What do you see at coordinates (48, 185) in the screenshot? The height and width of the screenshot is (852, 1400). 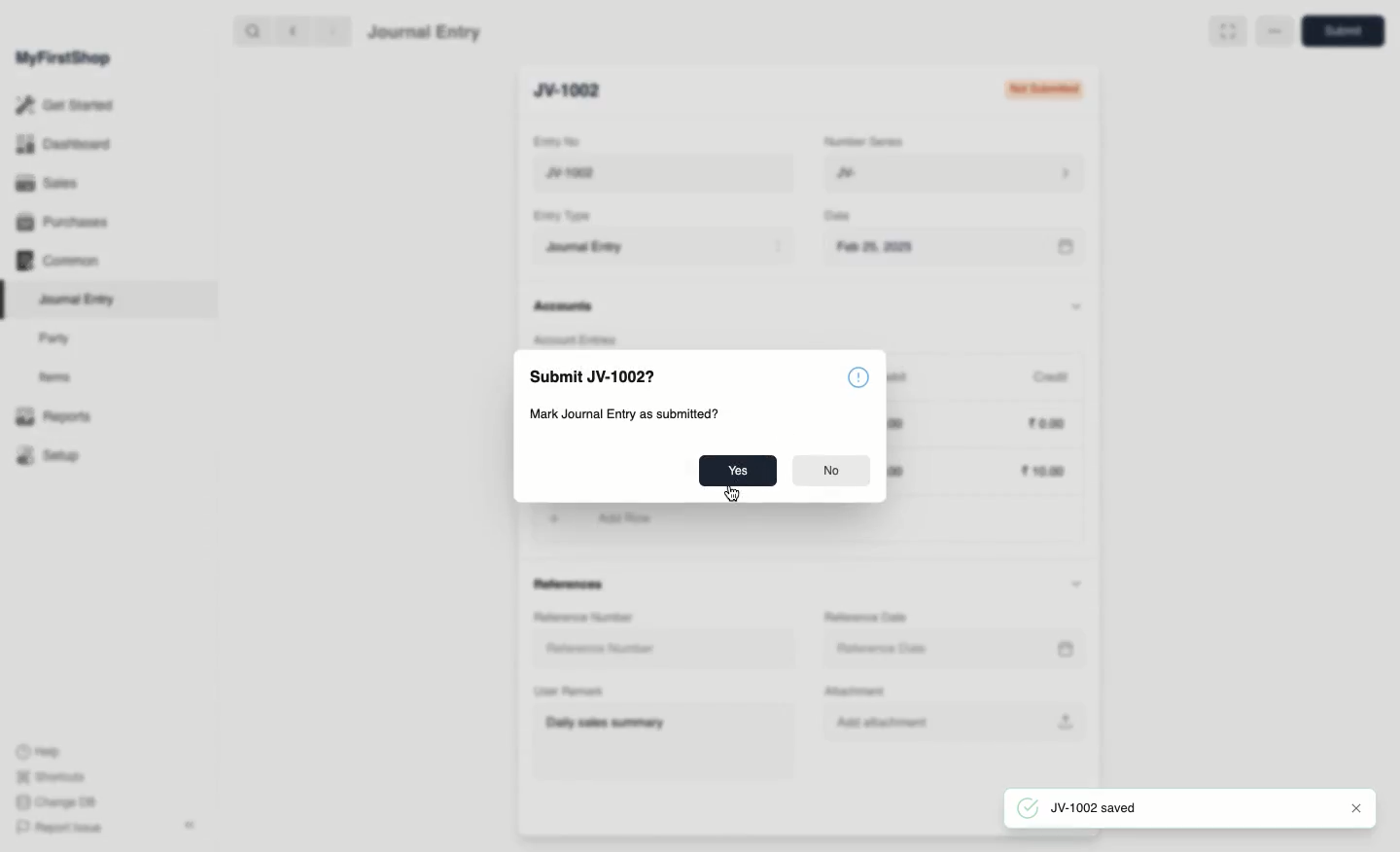 I see `Sales` at bounding box center [48, 185].